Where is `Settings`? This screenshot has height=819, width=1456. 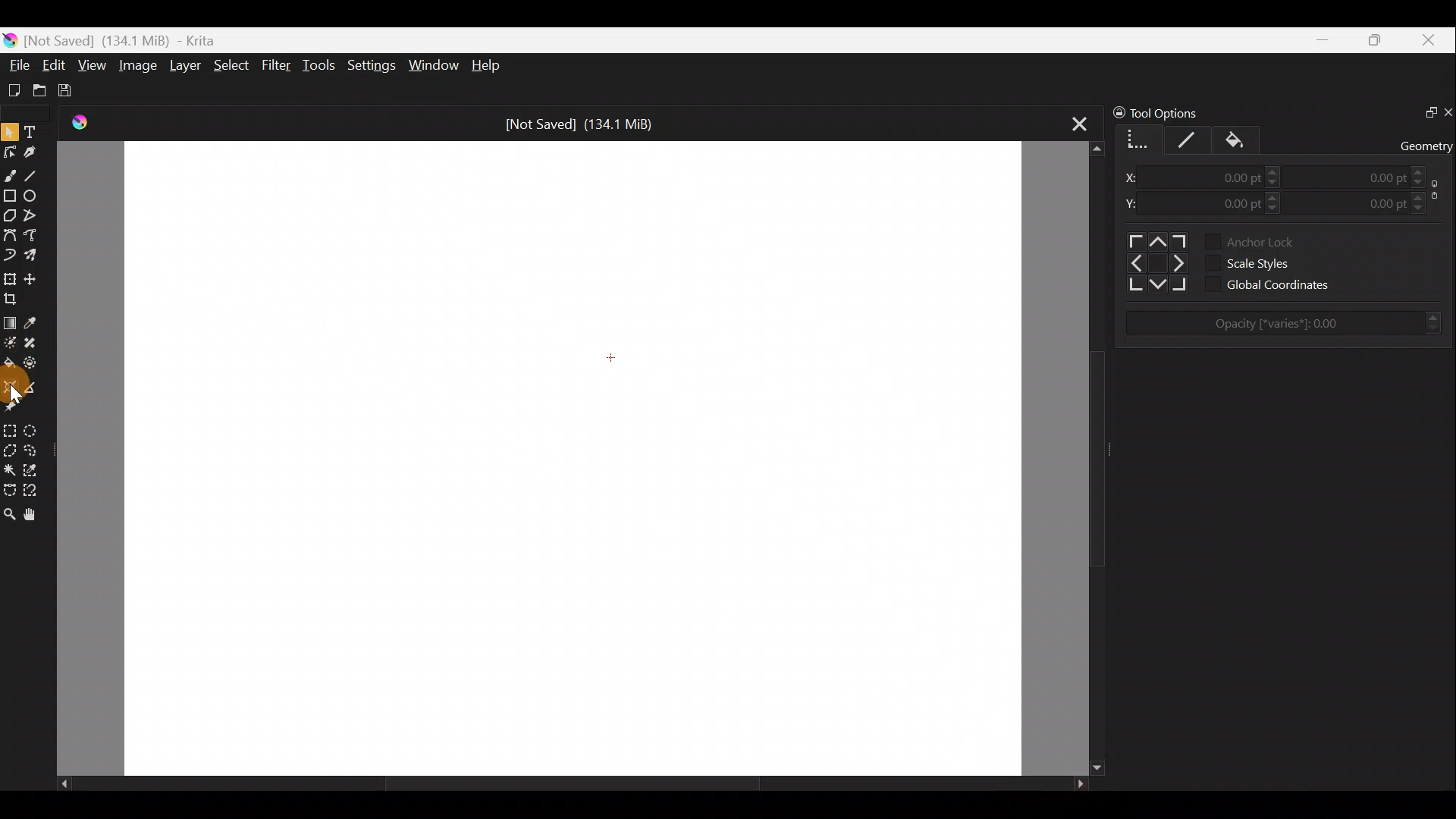
Settings is located at coordinates (370, 64).